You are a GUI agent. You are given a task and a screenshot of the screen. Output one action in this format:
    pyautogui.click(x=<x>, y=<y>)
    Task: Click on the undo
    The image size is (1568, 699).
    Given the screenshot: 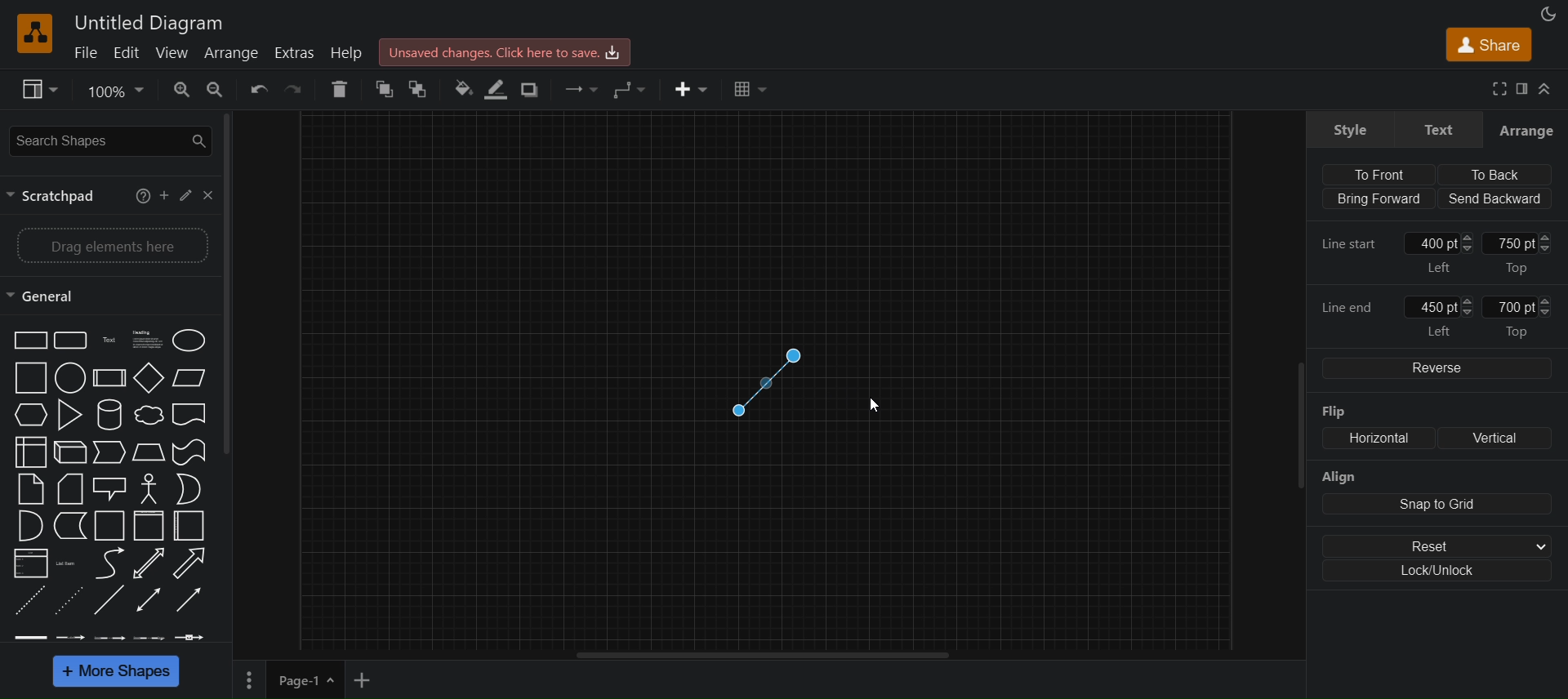 What is the action you would take?
    pyautogui.click(x=263, y=91)
    